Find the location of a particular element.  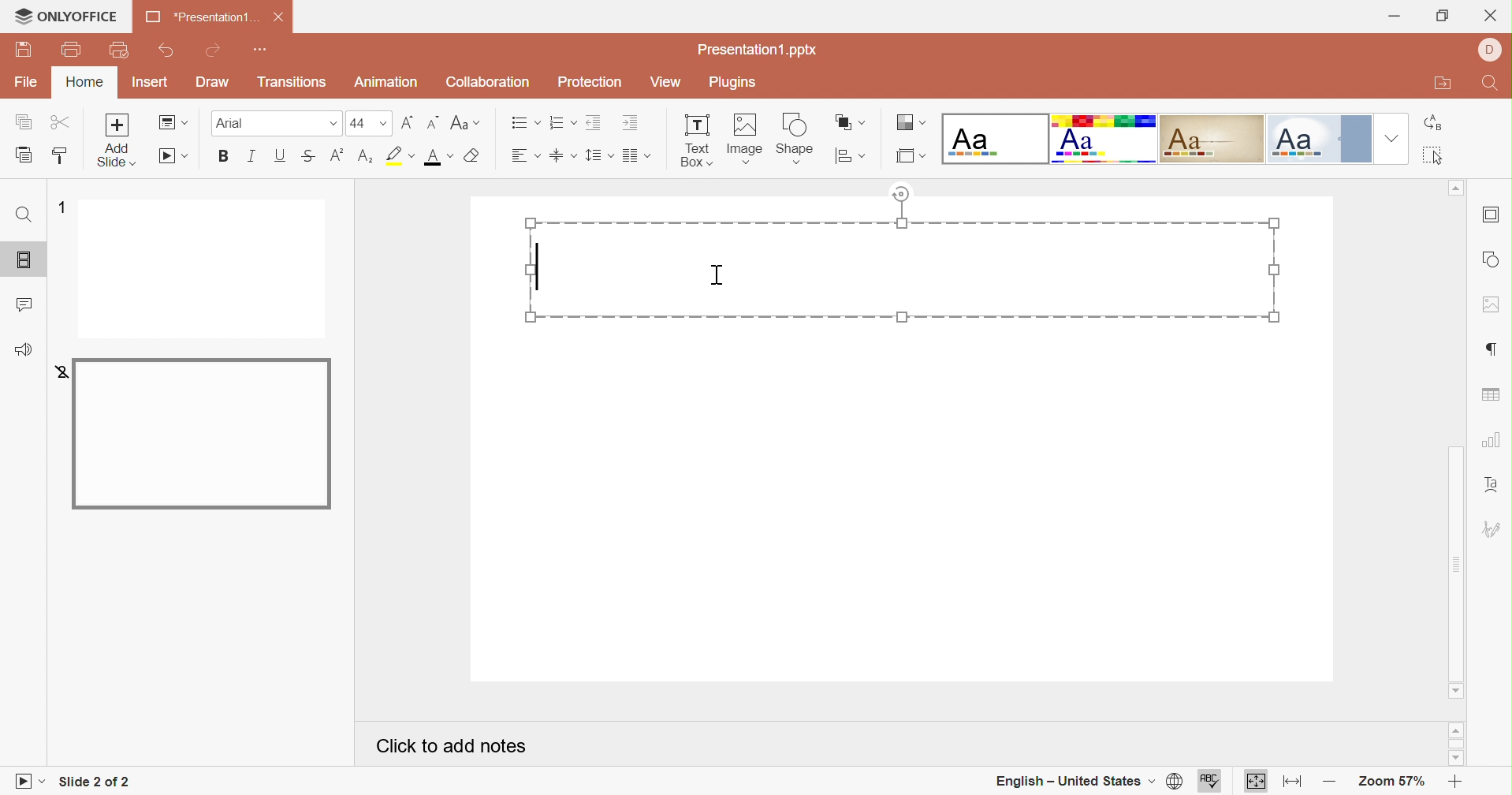

Find is located at coordinates (24, 214).